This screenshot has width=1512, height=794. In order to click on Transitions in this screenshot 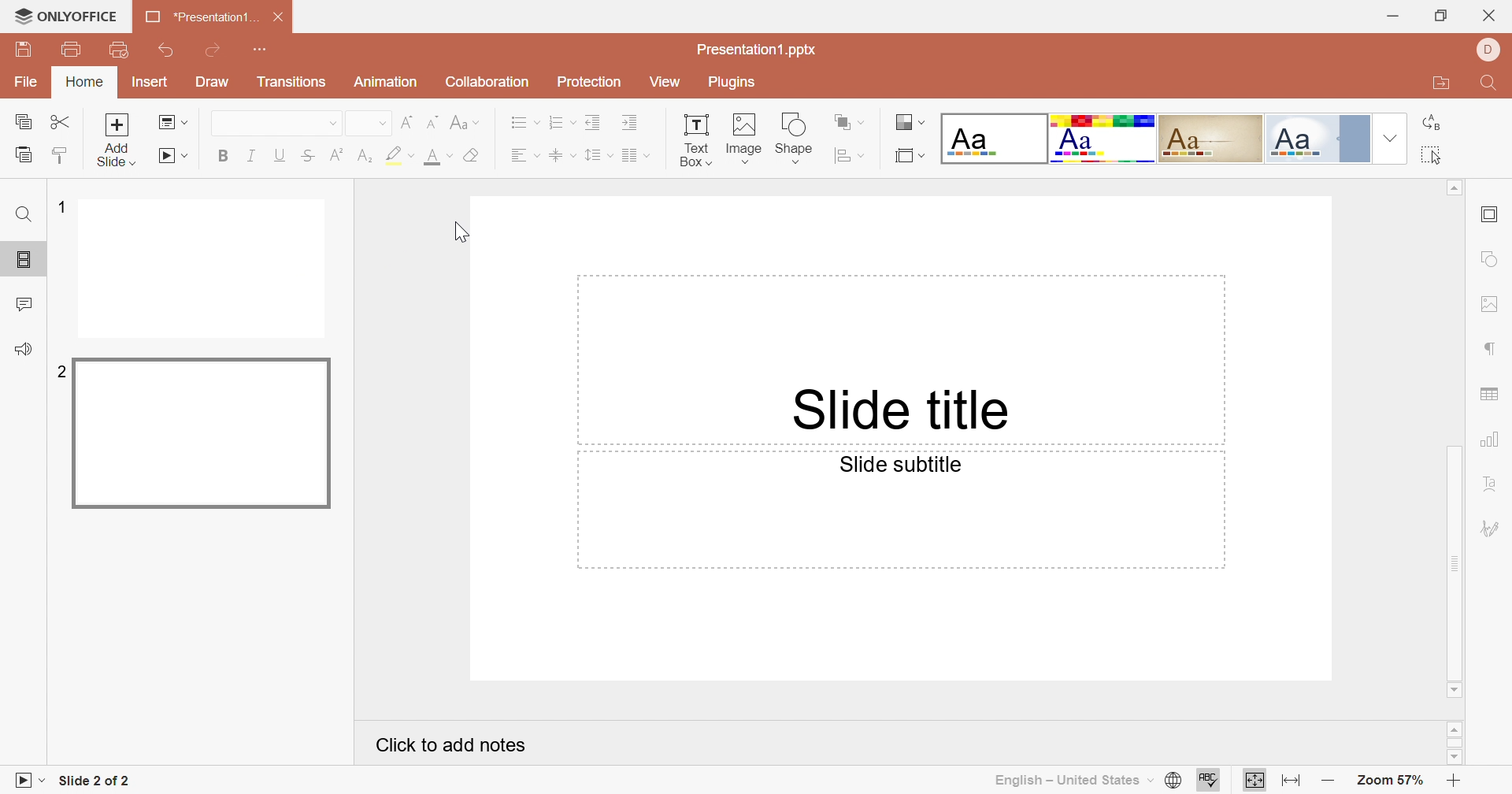, I will do `click(294, 82)`.